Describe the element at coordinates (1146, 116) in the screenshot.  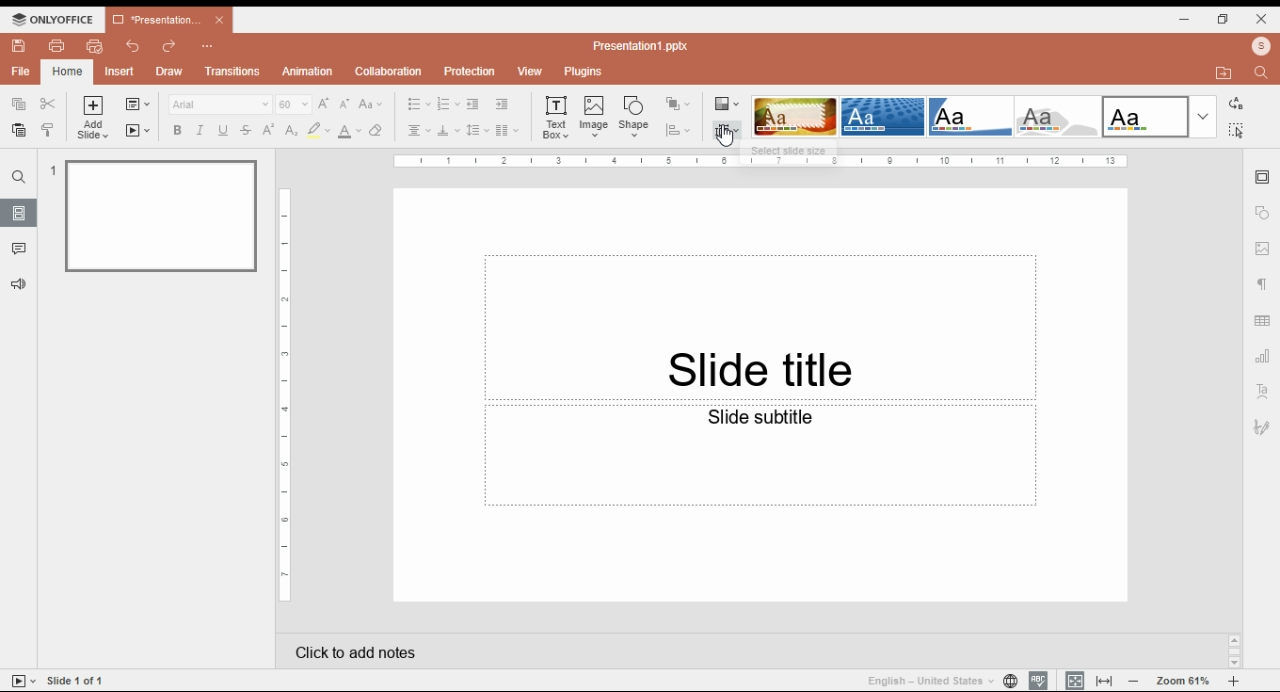
I see `slide them option` at that location.